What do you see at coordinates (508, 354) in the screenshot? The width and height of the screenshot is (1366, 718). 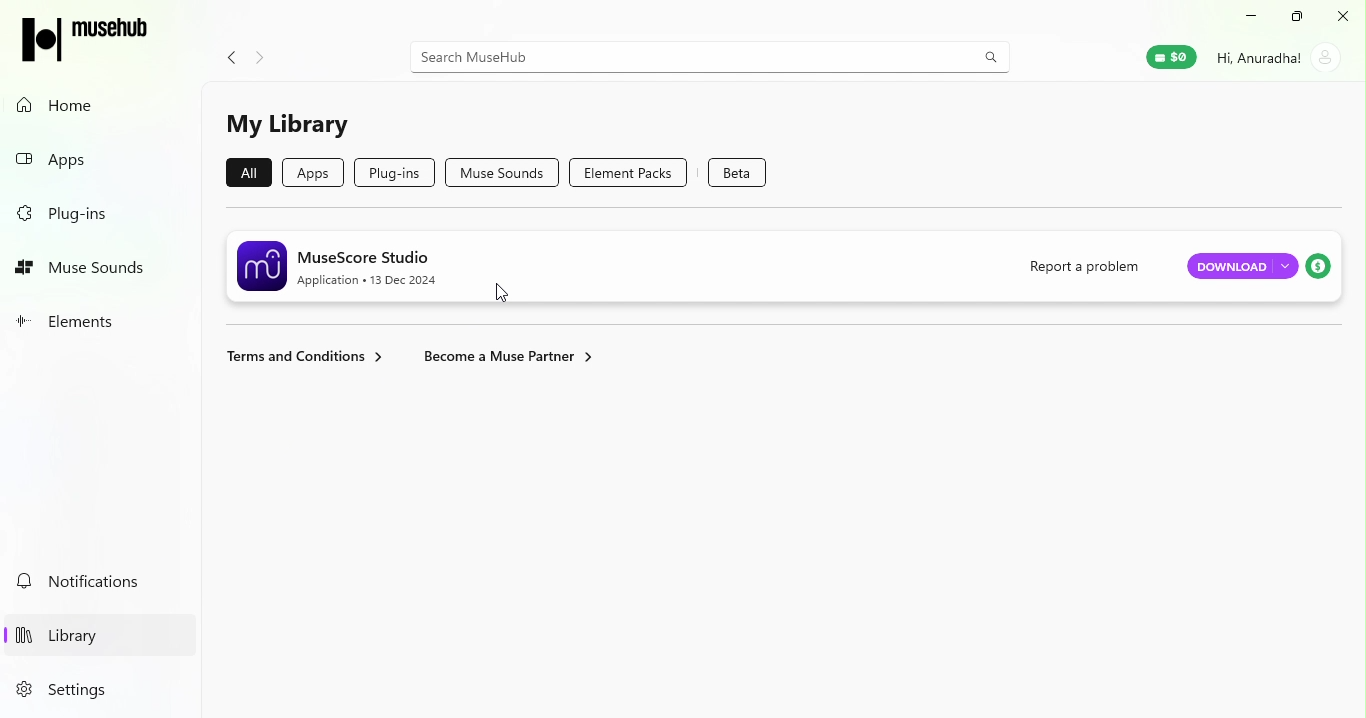 I see `Become a member` at bounding box center [508, 354].